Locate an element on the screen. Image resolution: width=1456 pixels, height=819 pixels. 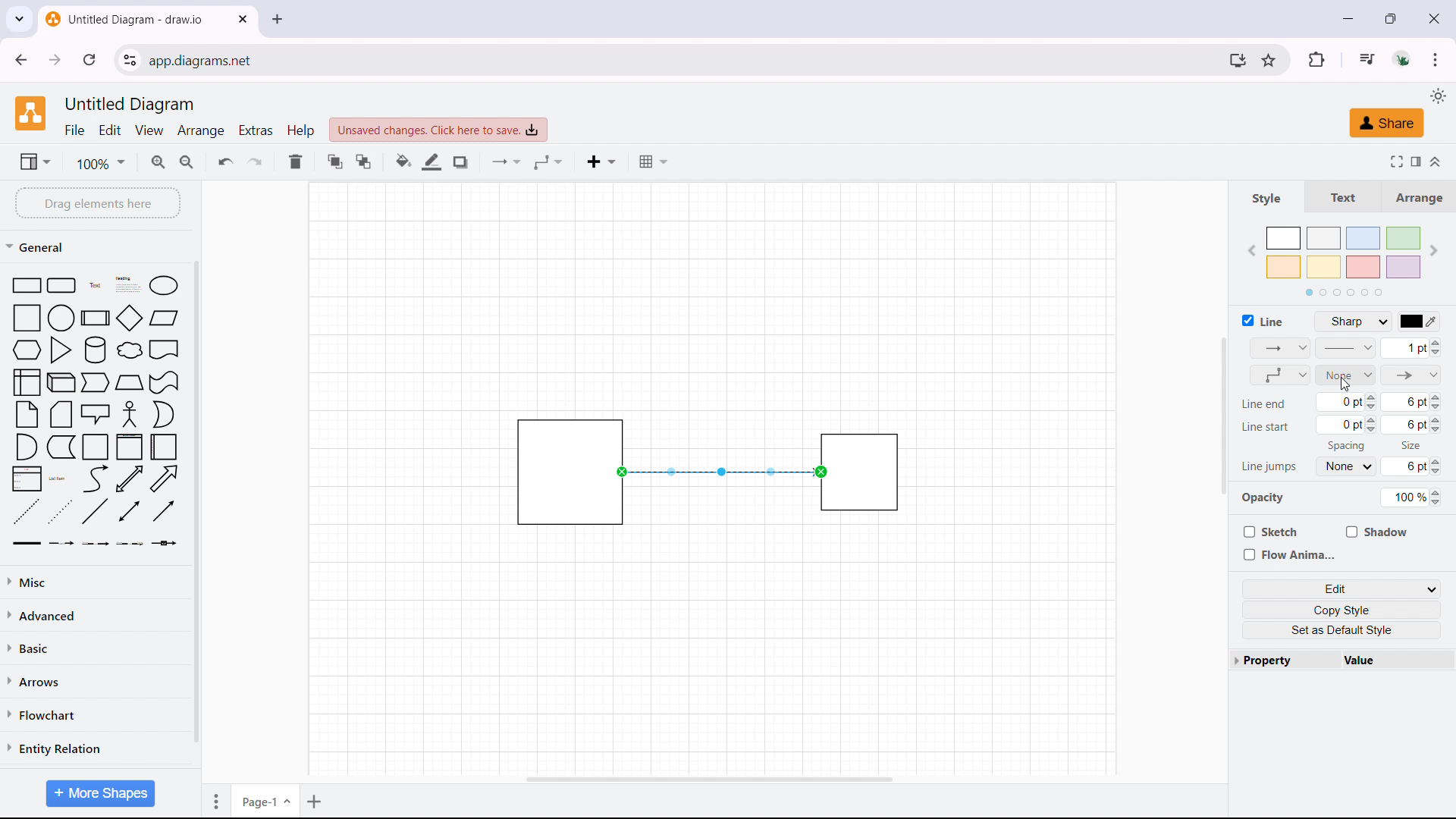
scrollbar is located at coordinates (196, 504).